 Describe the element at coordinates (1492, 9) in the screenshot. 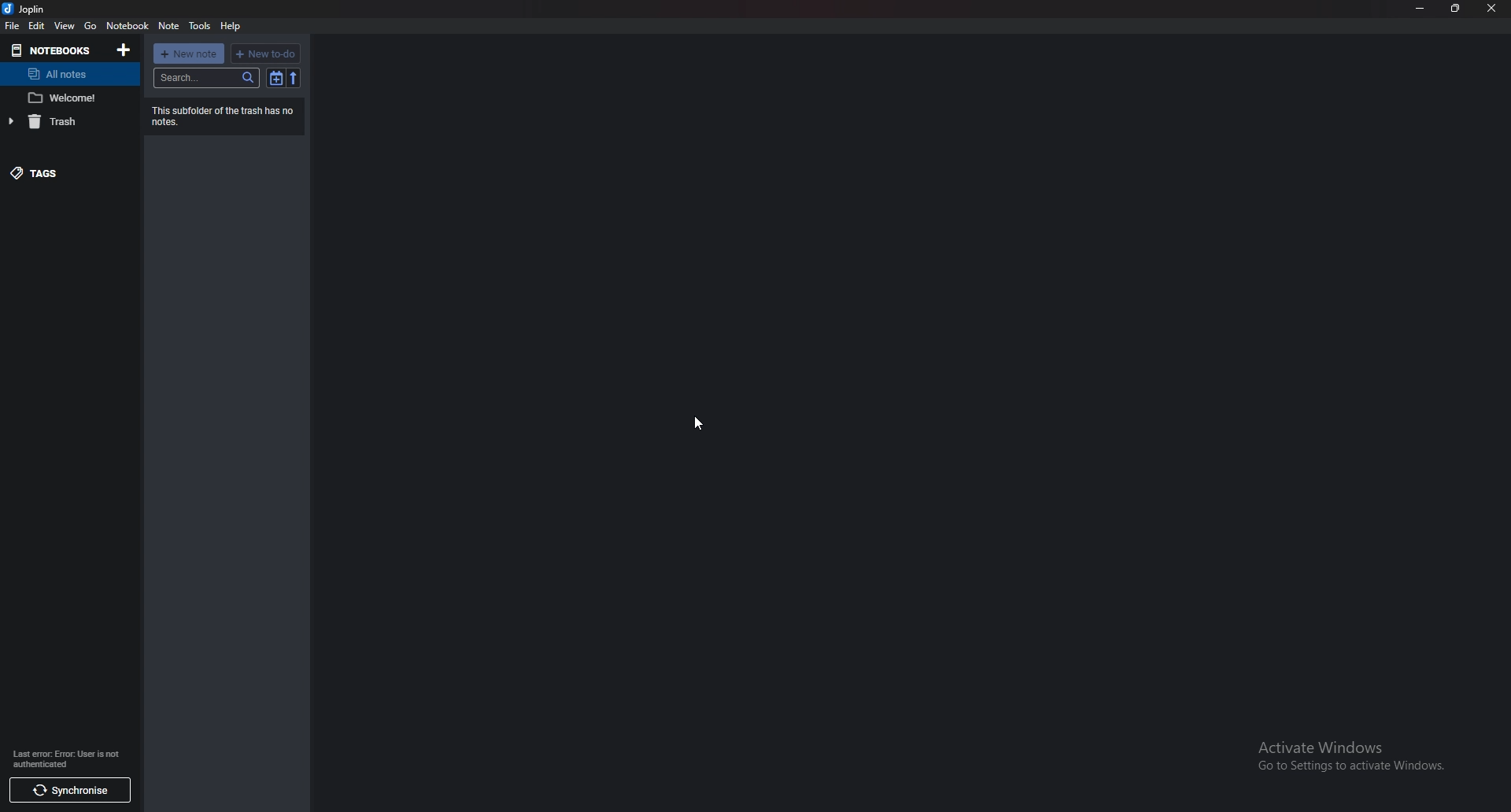

I see `close` at that location.